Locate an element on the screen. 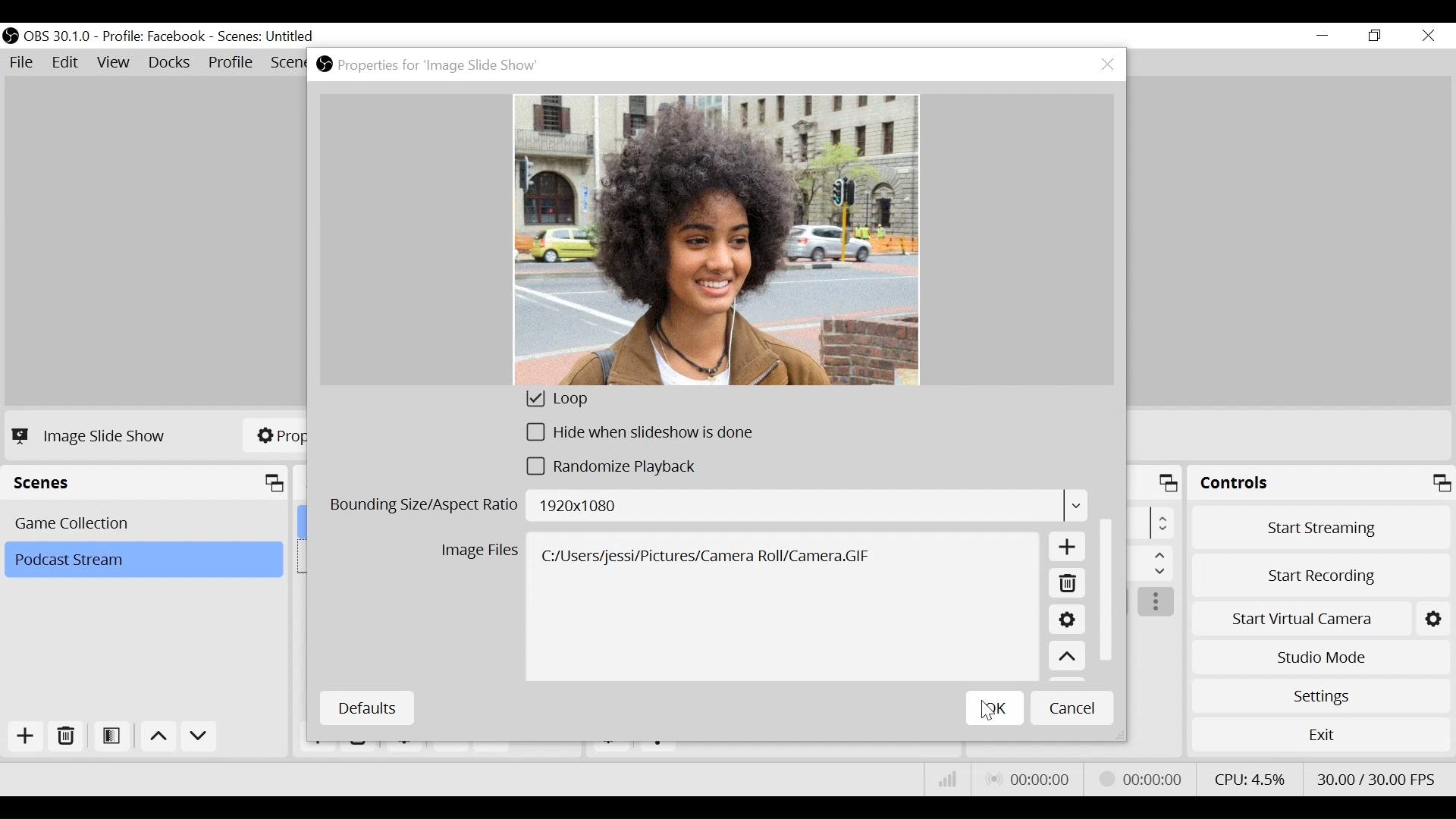 This screenshot has height=819, width=1456. Add is located at coordinates (1068, 550).